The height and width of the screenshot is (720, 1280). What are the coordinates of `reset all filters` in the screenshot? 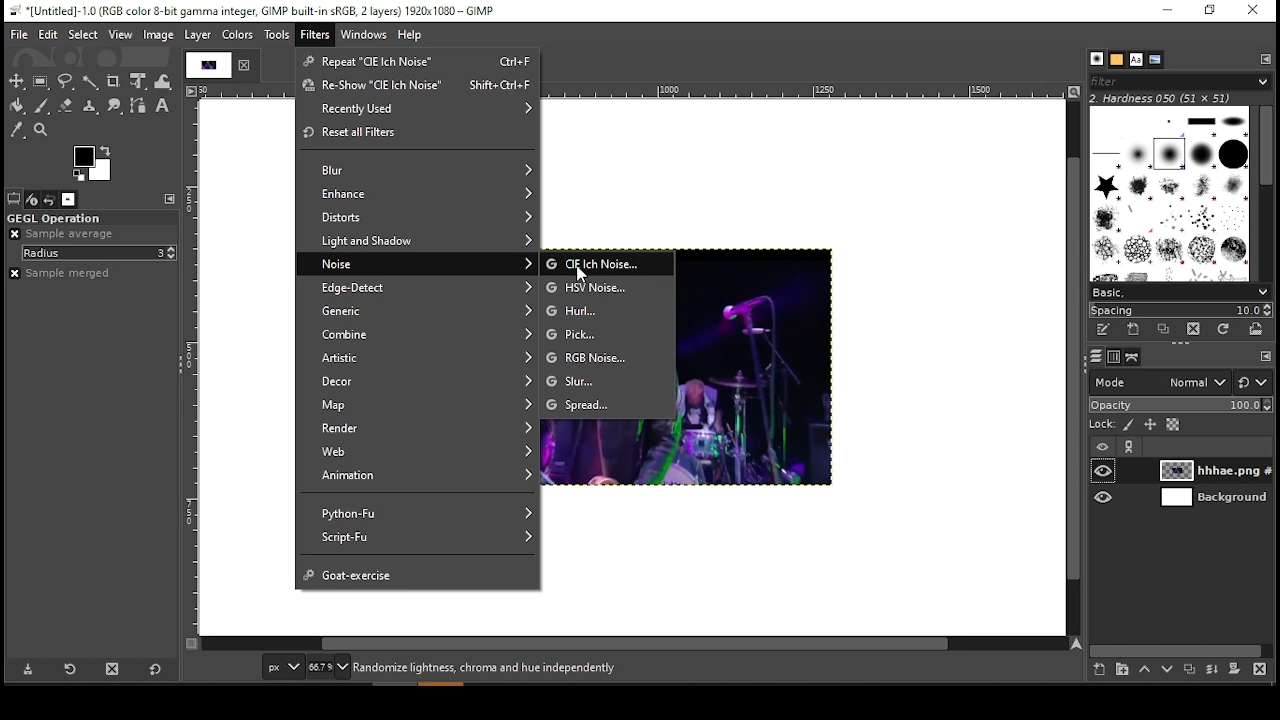 It's located at (415, 133).